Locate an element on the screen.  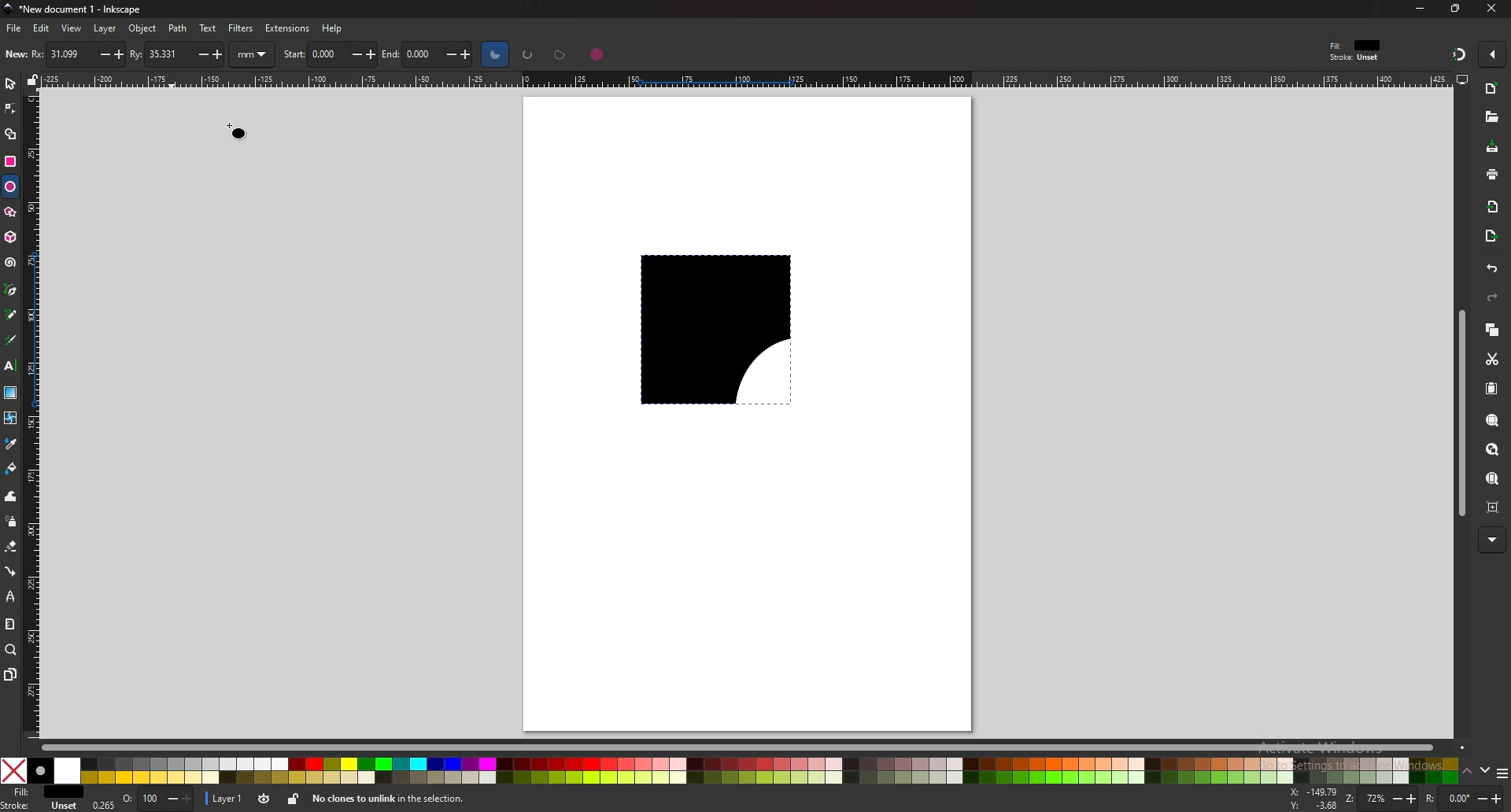
title is located at coordinates (71, 9).